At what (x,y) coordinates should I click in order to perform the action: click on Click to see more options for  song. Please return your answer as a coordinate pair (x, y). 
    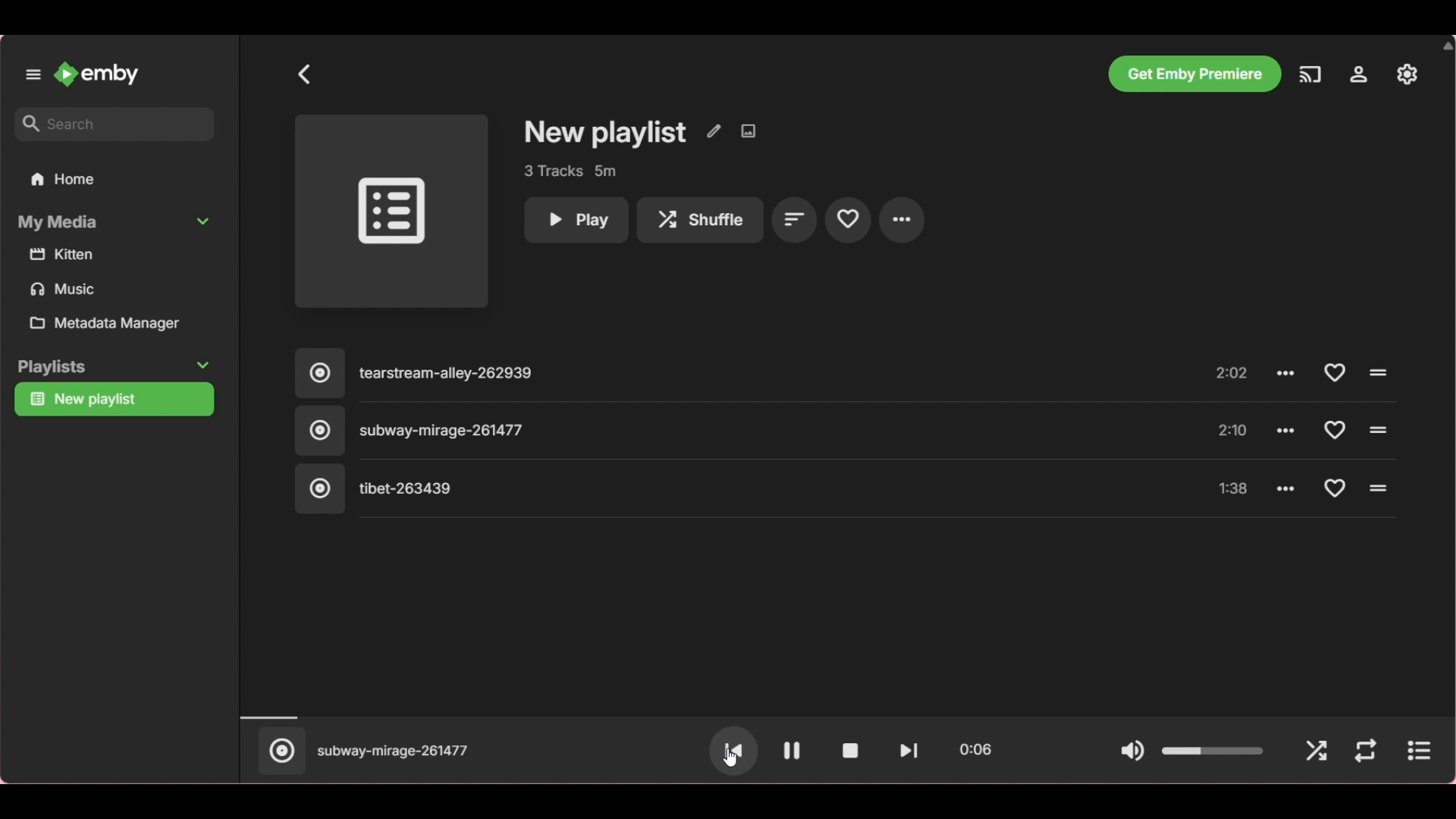
    Looking at the image, I should click on (1288, 373).